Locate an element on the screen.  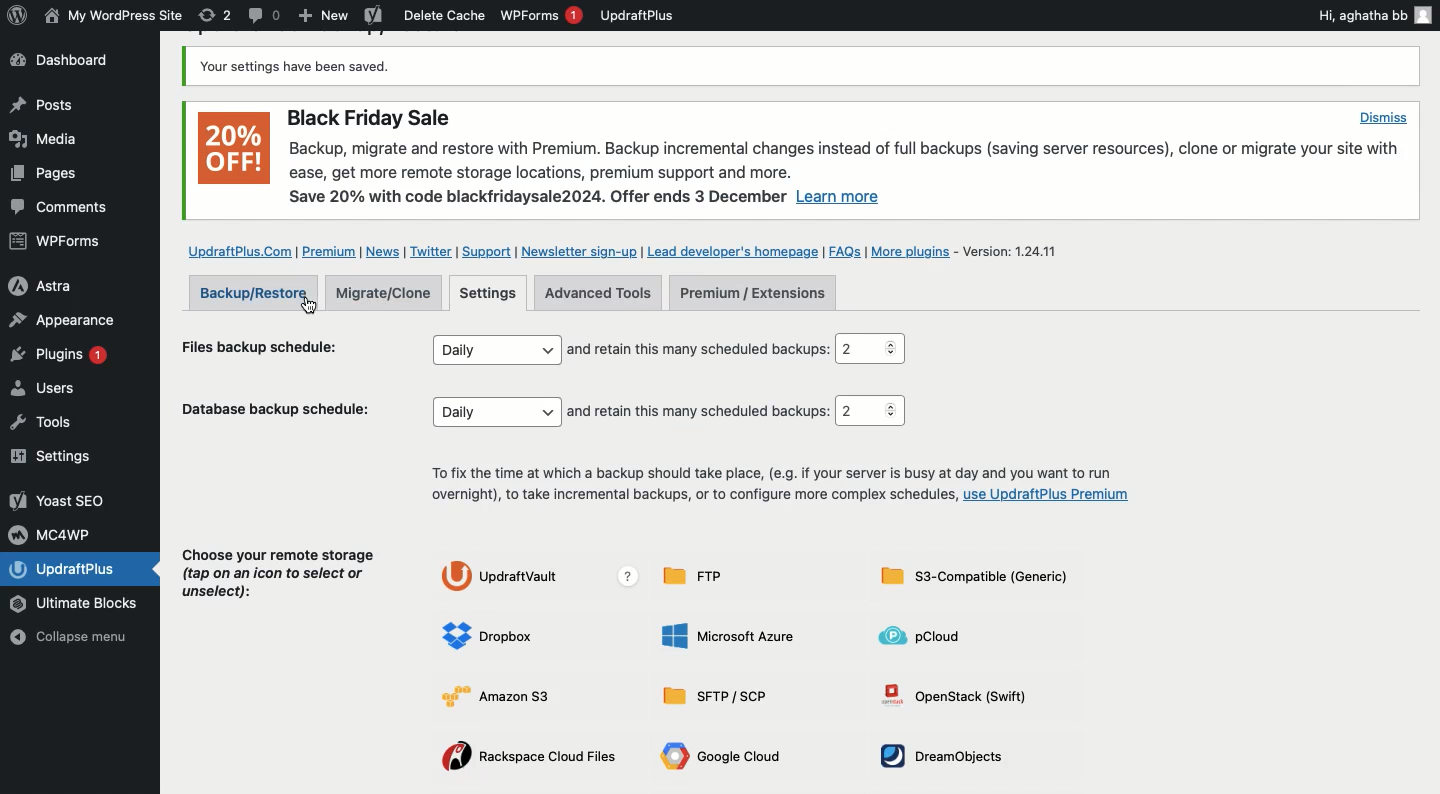
Cursor is located at coordinates (309, 305).